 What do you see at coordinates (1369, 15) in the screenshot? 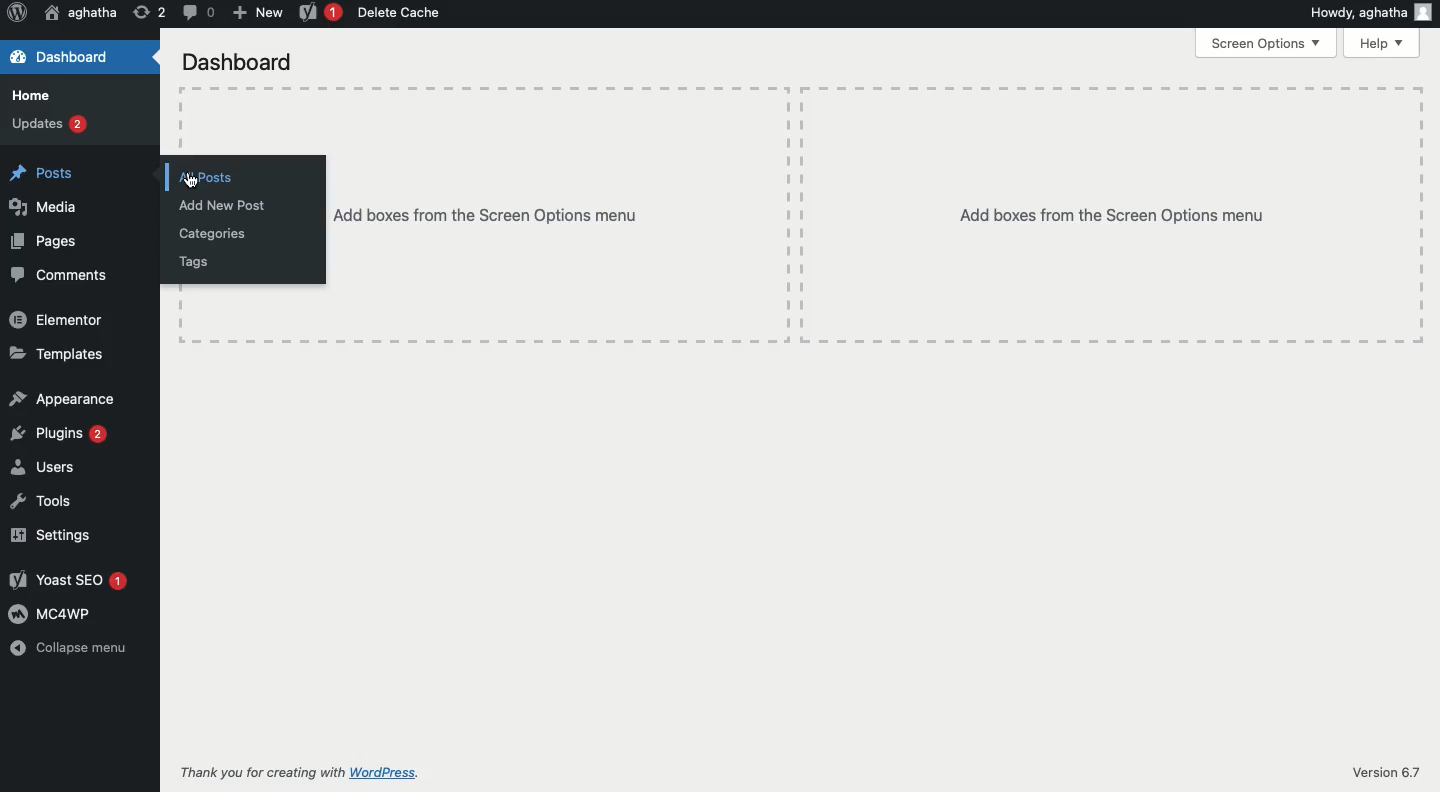
I see `Howdy user` at bounding box center [1369, 15].